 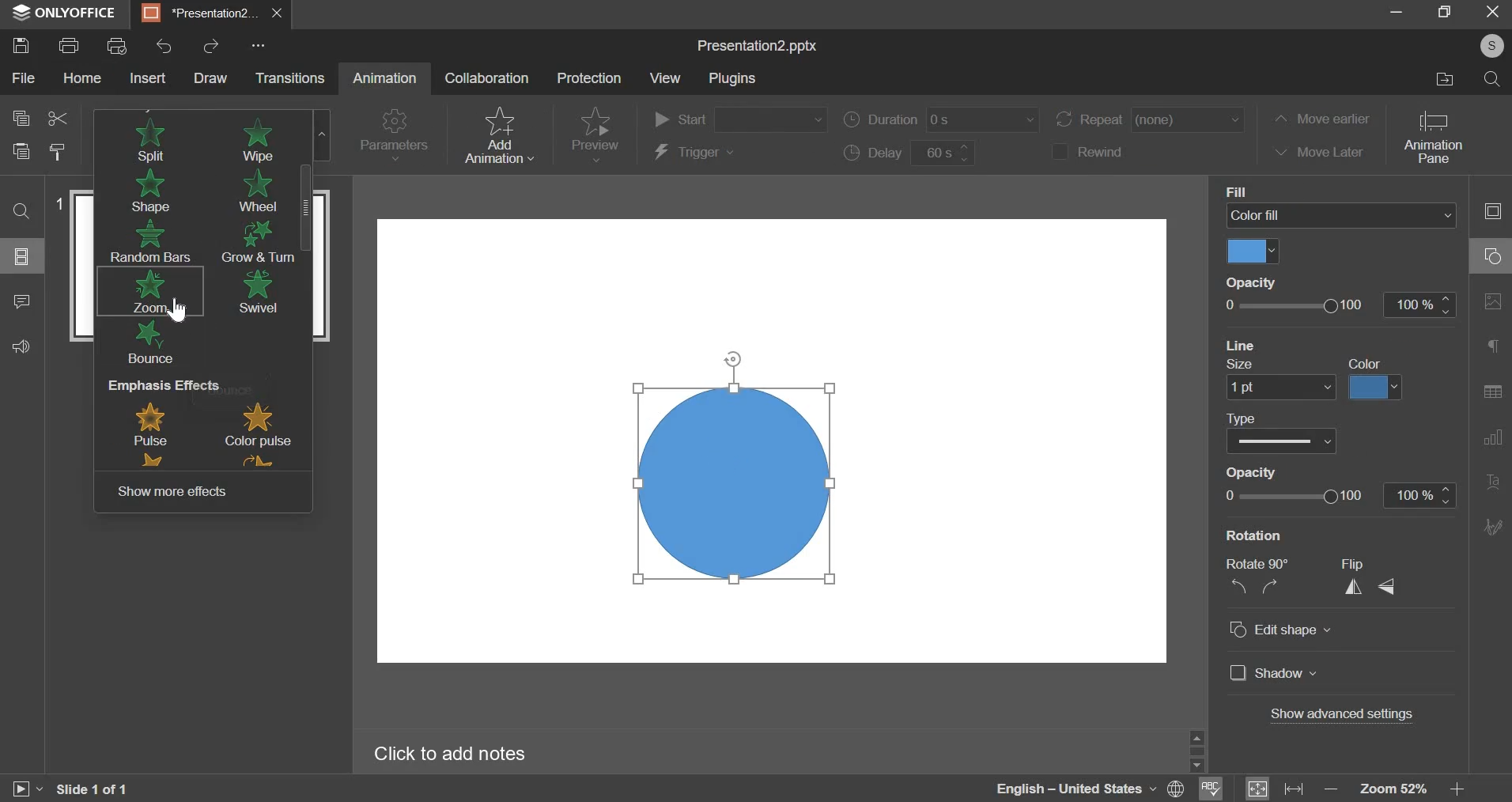 I want to click on ©, so click(x=1487, y=47).